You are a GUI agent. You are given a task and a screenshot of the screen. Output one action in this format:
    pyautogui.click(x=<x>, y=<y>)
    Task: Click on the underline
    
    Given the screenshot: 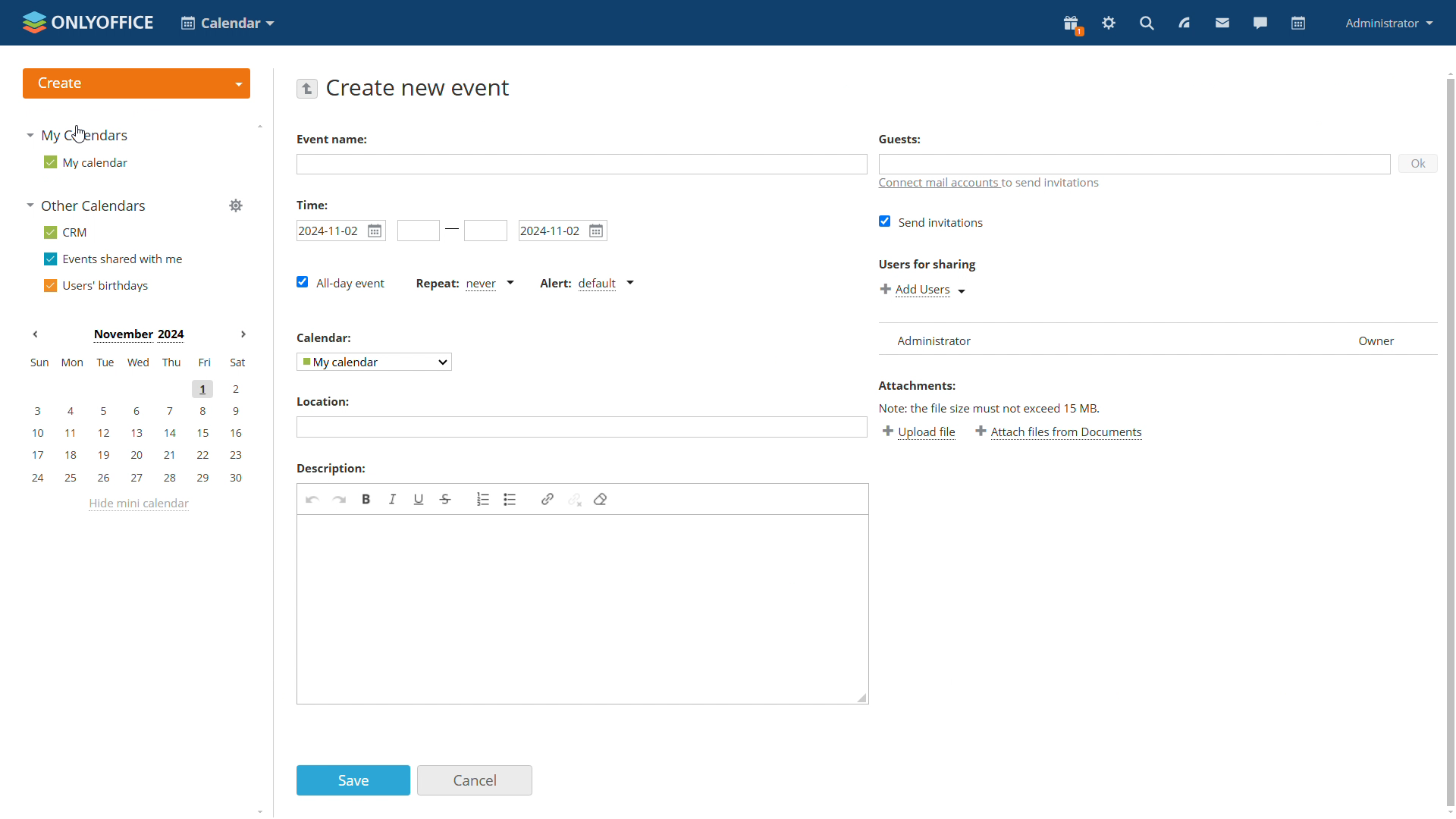 What is the action you would take?
    pyautogui.click(x=419, y=500)
    